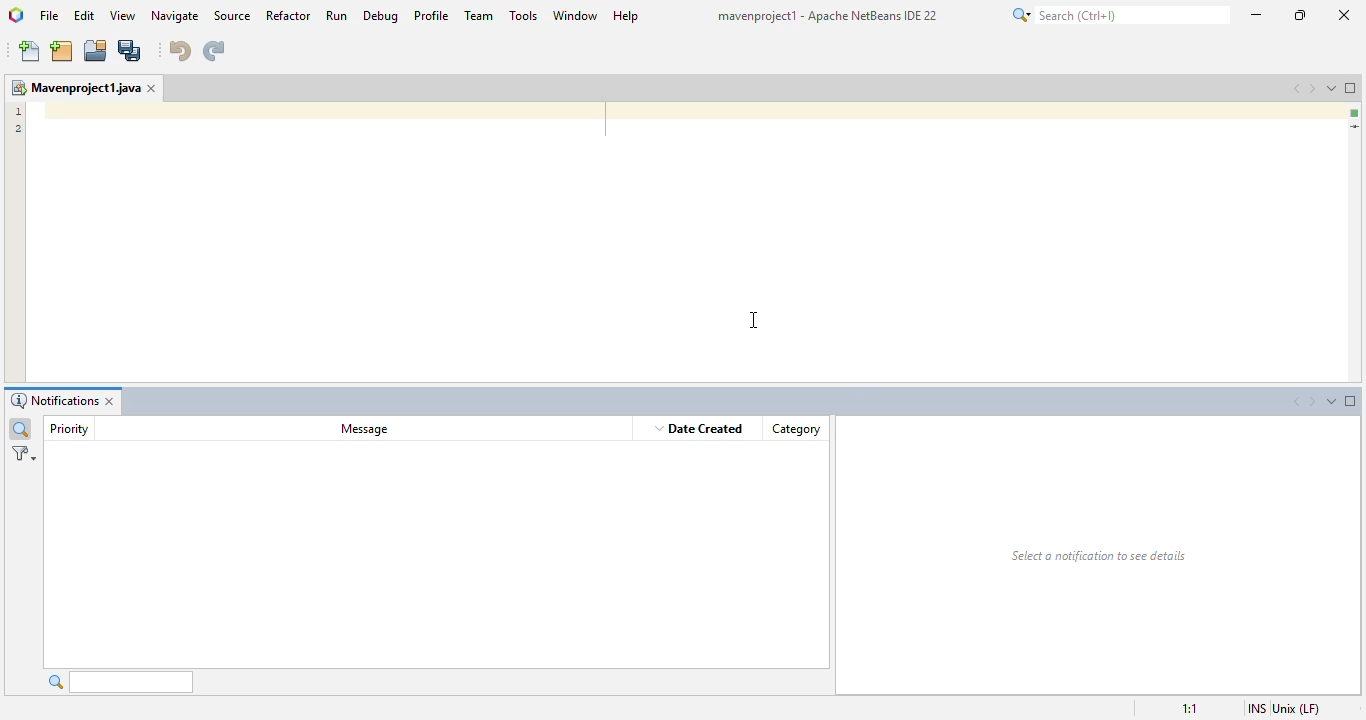  What do you see at coordinates (1351, 401) in the screenshot?
I see `maximize window` at bounding box center [1351, 401].